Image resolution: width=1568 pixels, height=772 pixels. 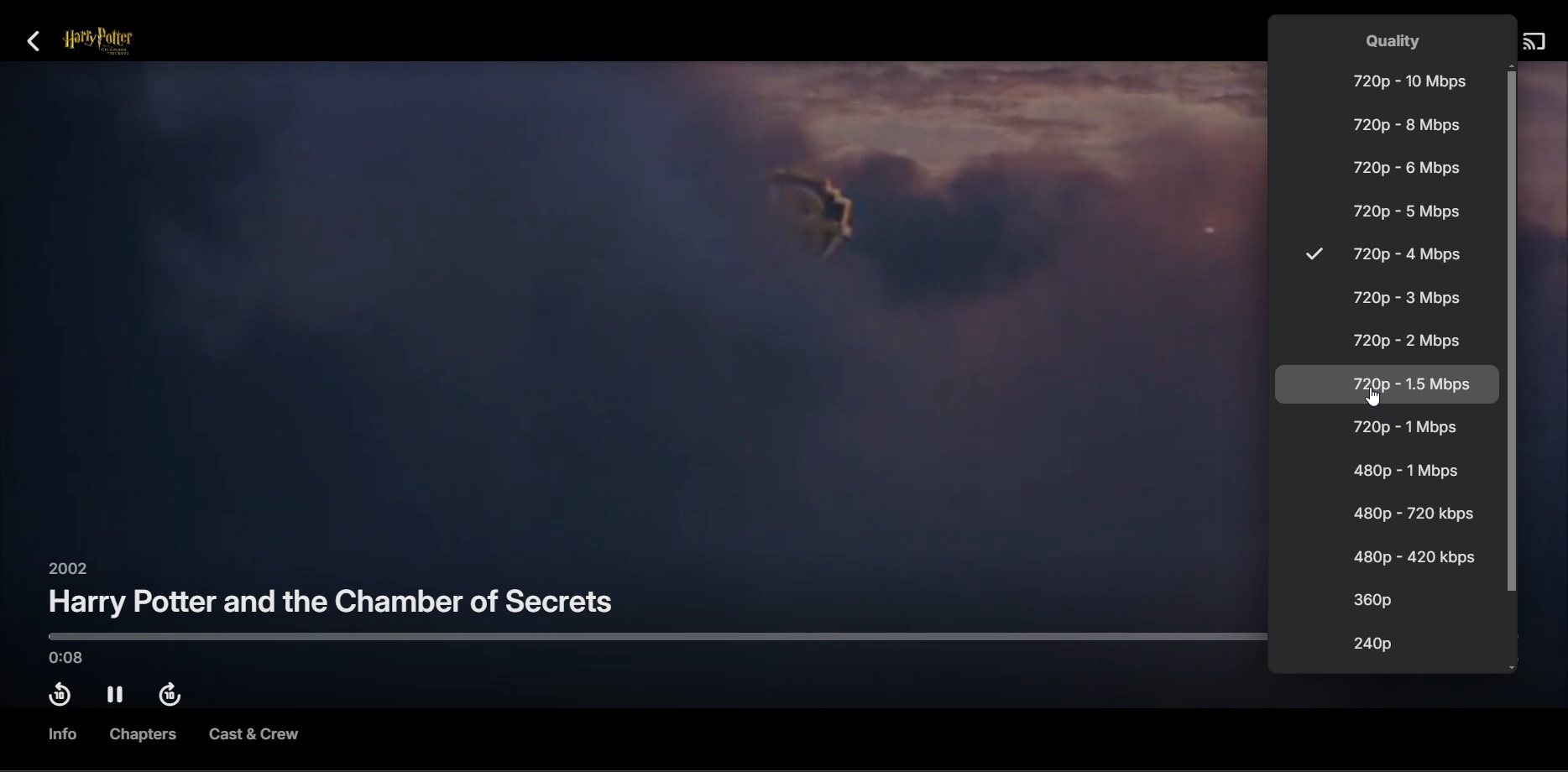 I want to click on 480p - 420 kbps, so click(x=1415, y=556).